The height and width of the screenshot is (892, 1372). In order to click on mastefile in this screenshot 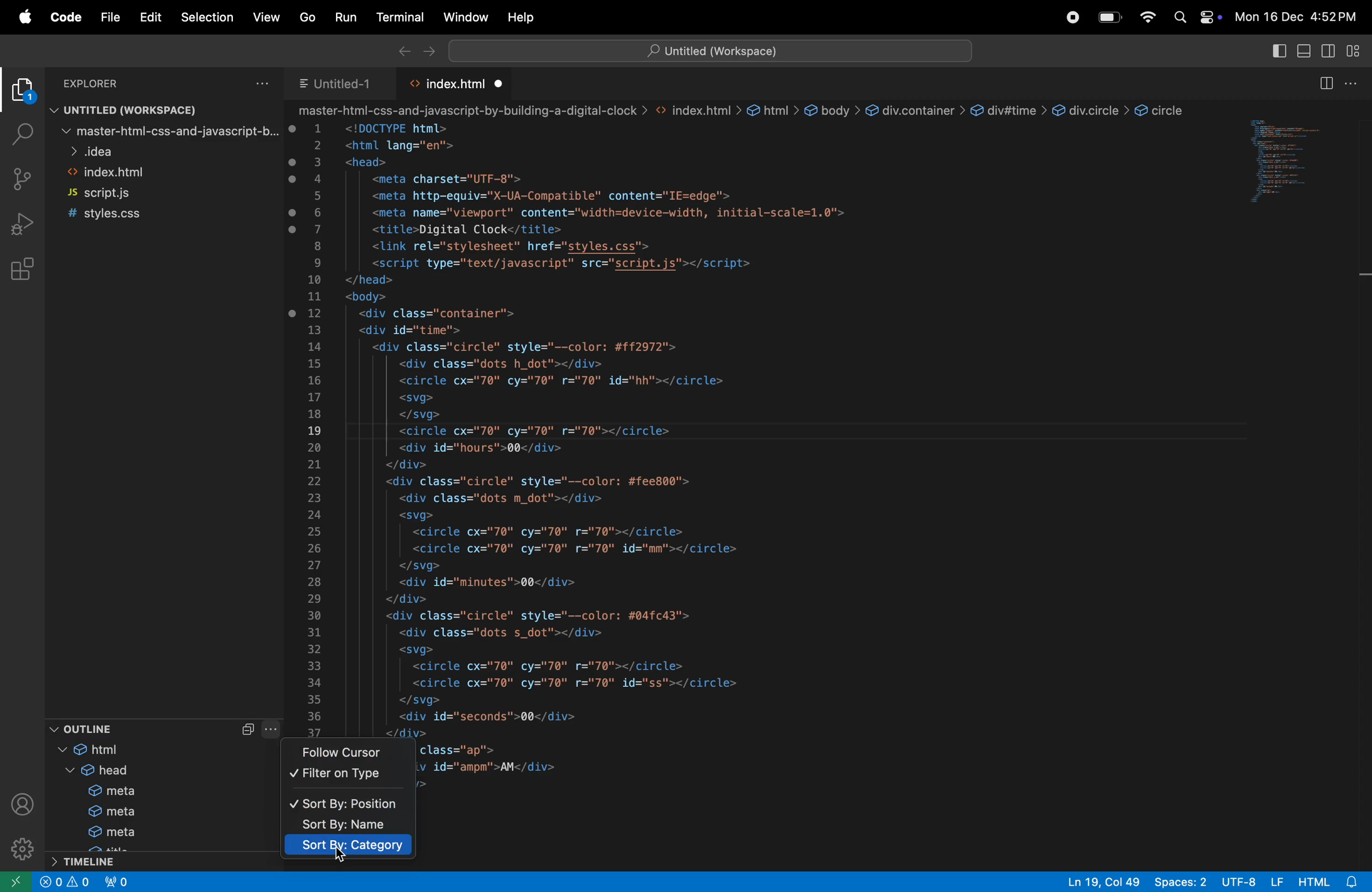, I will do `click(165, 131)`.